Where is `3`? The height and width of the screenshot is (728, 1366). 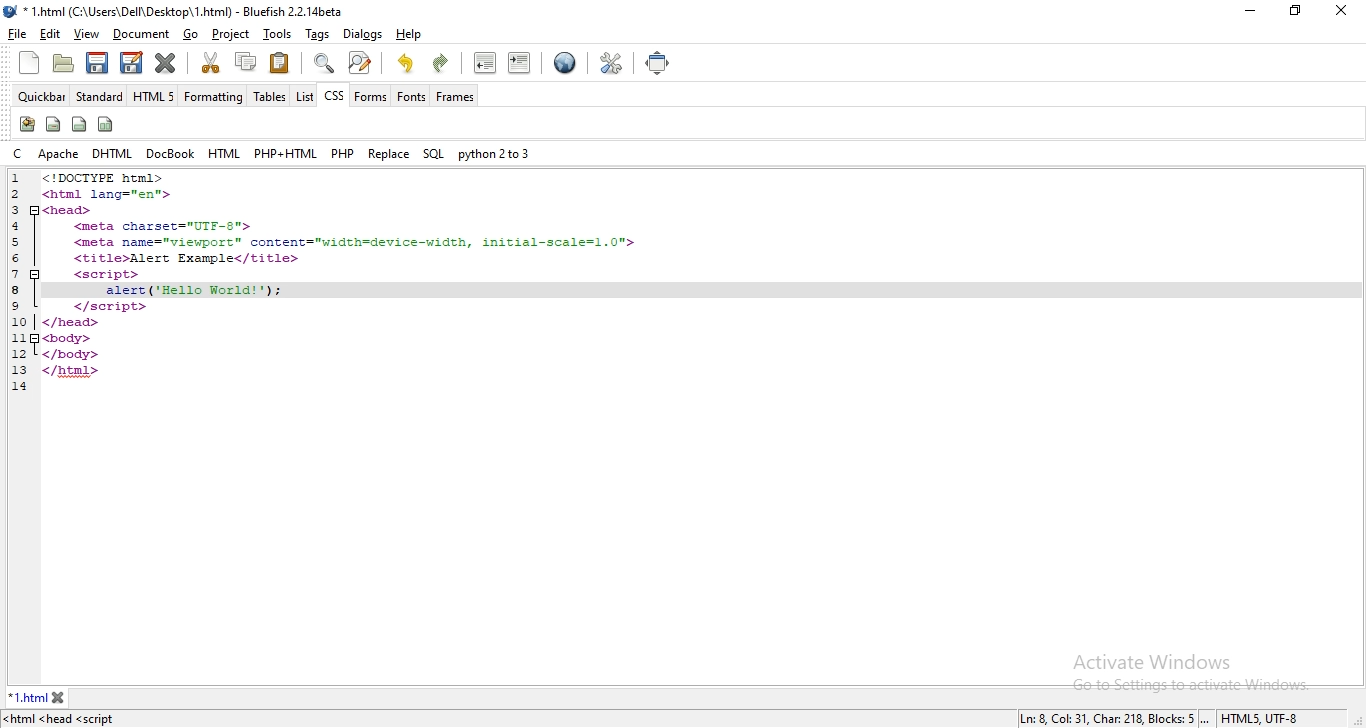 3 is located at coordinates (14, 209).